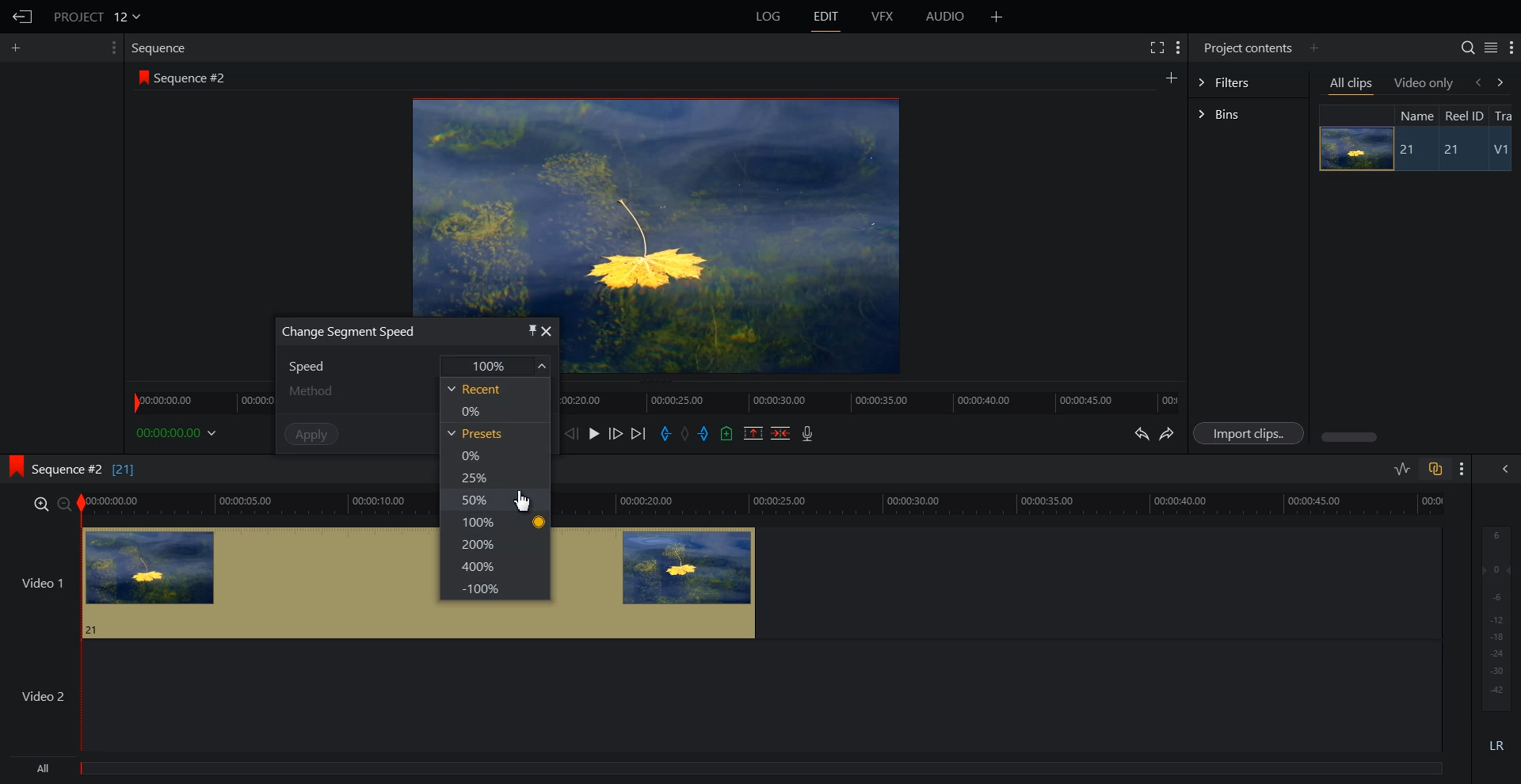 Image resolution: width=1521 pixels, height=784 pixels. I want to click on Import clips, so click(1252, 434).